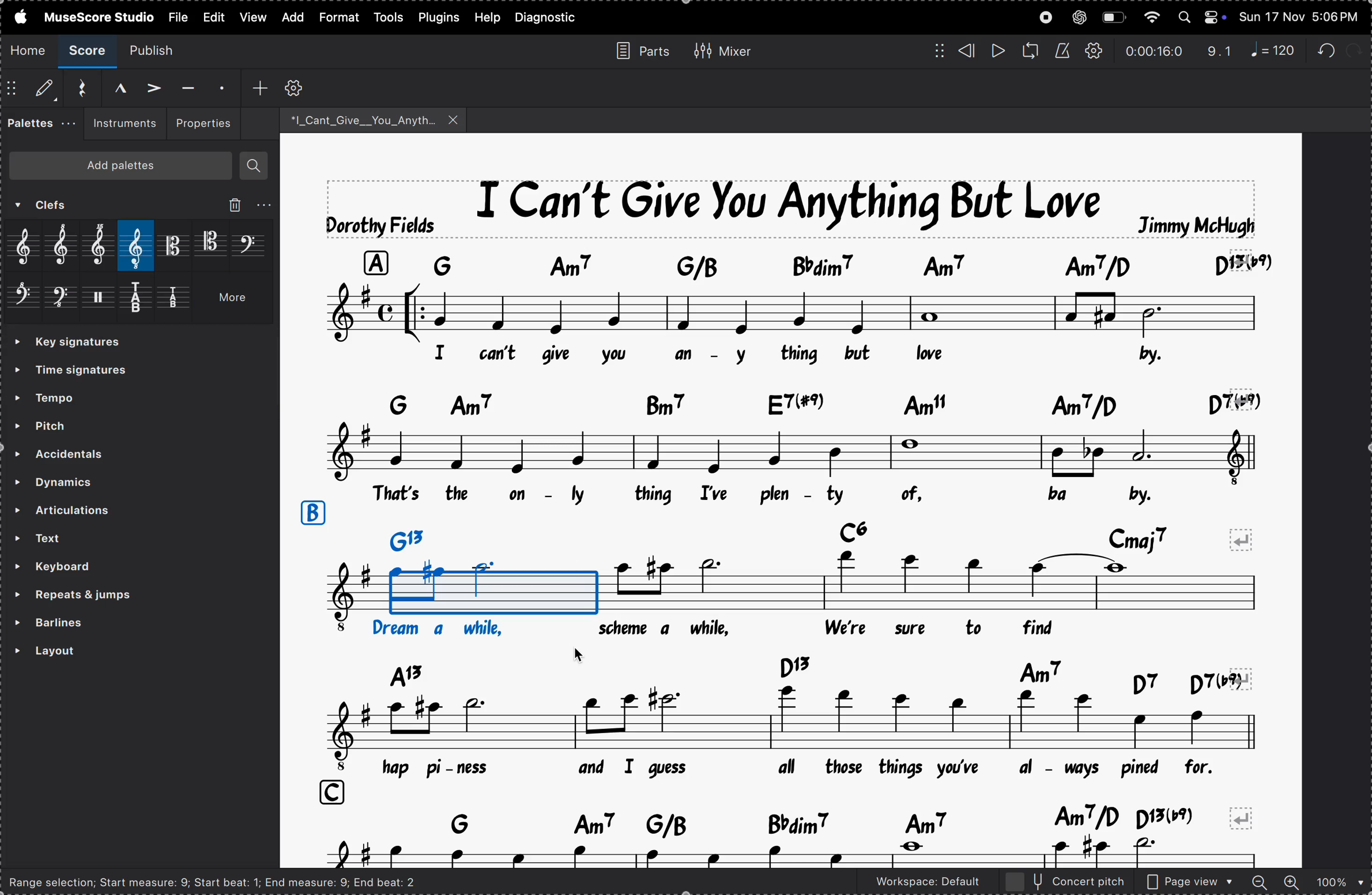 The width and height of the screenshot is (1372, 895). I want to click on score, so click(89, 51).